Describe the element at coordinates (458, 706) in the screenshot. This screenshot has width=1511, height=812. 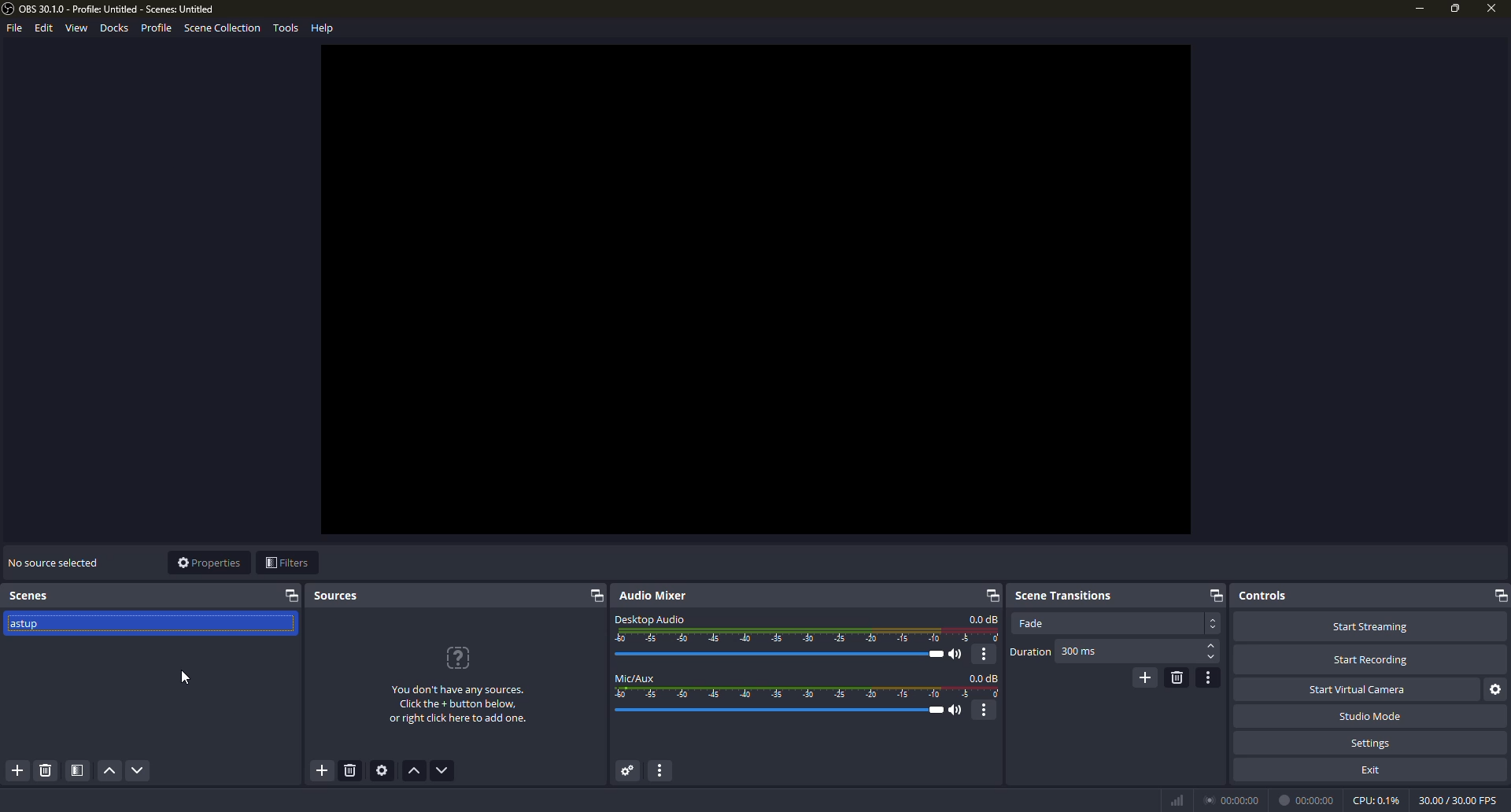
I see `info` at that location.